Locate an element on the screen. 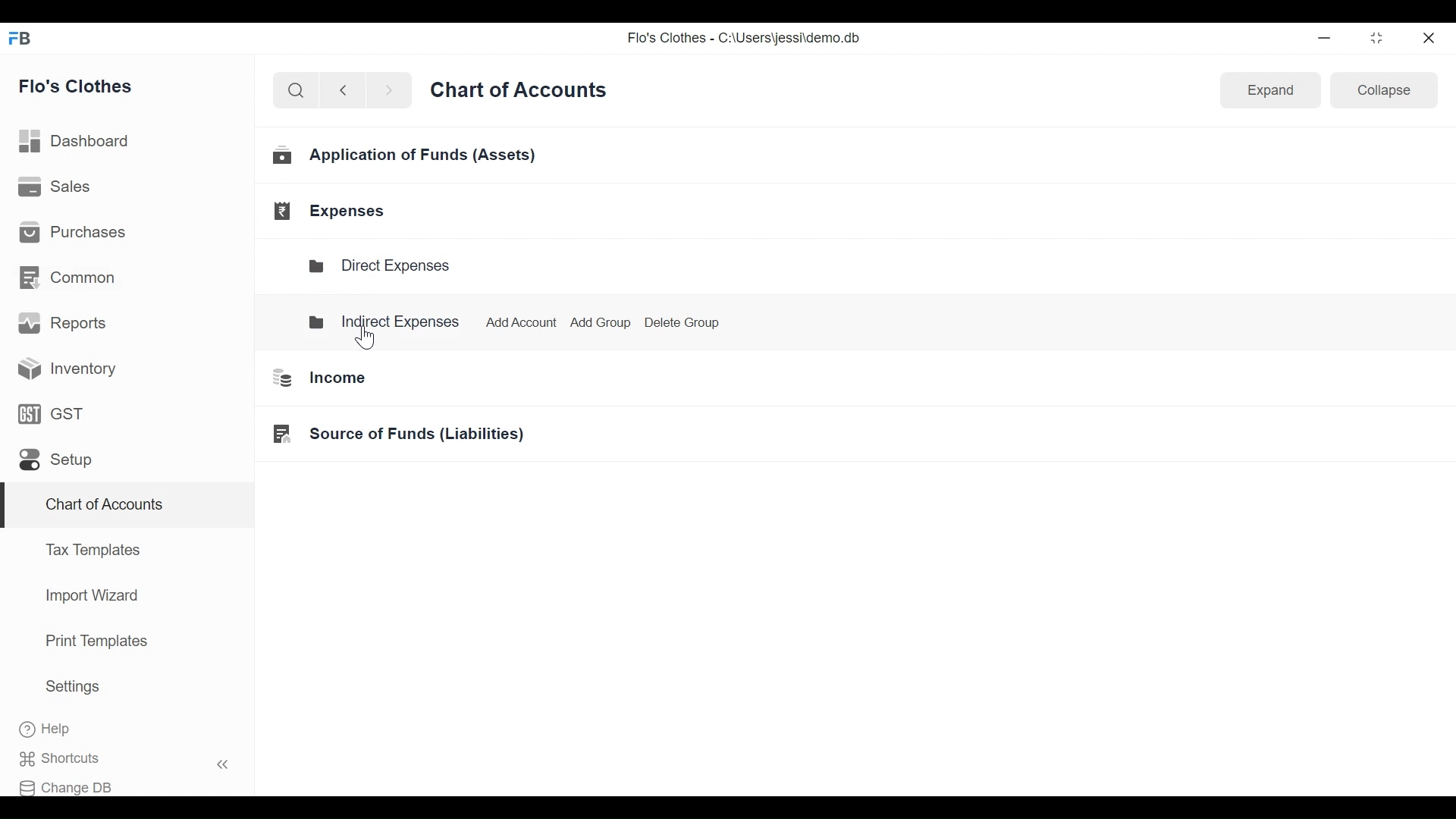 The image size is (1456, 819). search is located at coordinates (296, 91).